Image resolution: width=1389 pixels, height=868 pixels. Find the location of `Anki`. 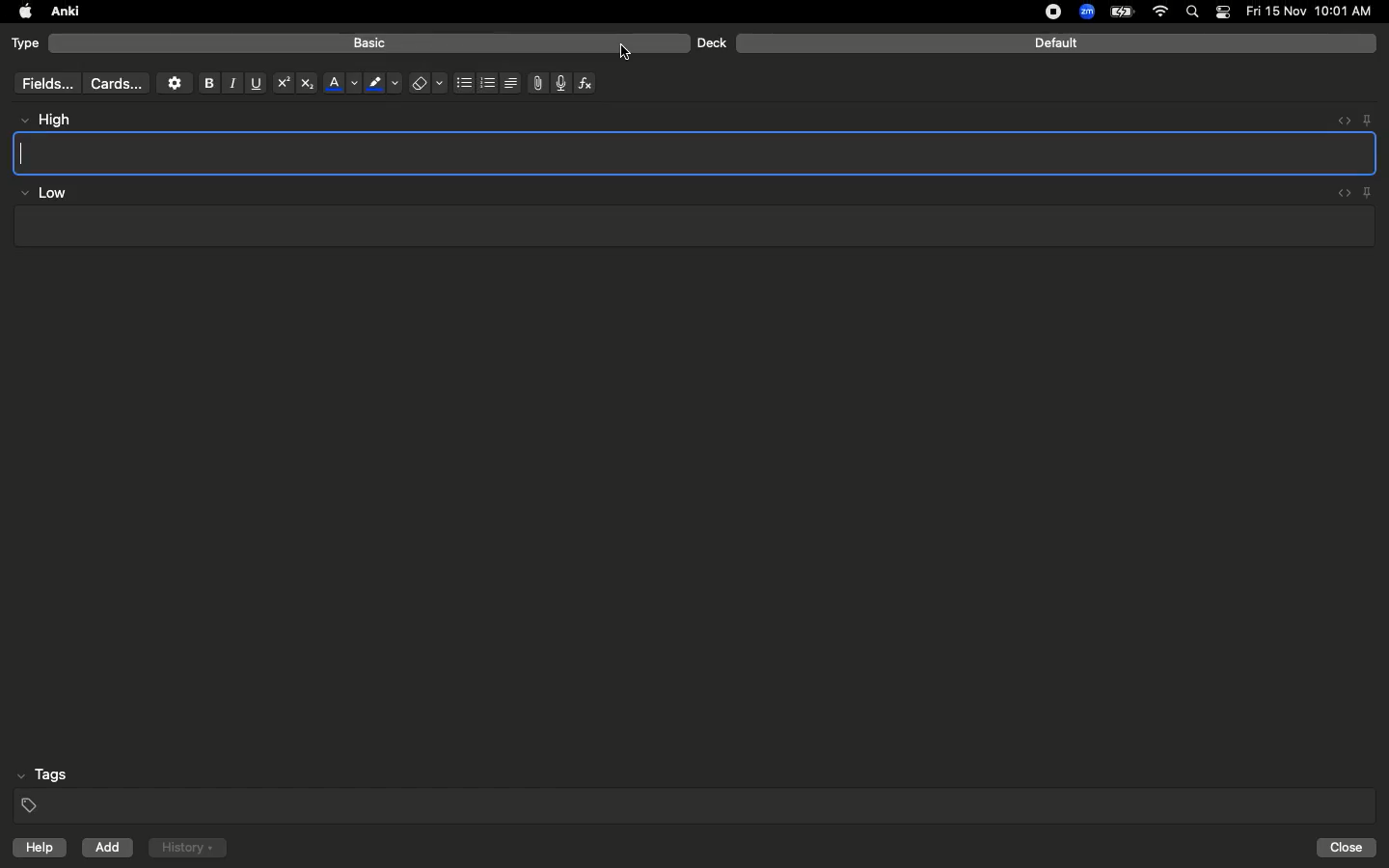

Anki is located at coordinates (64, 13).